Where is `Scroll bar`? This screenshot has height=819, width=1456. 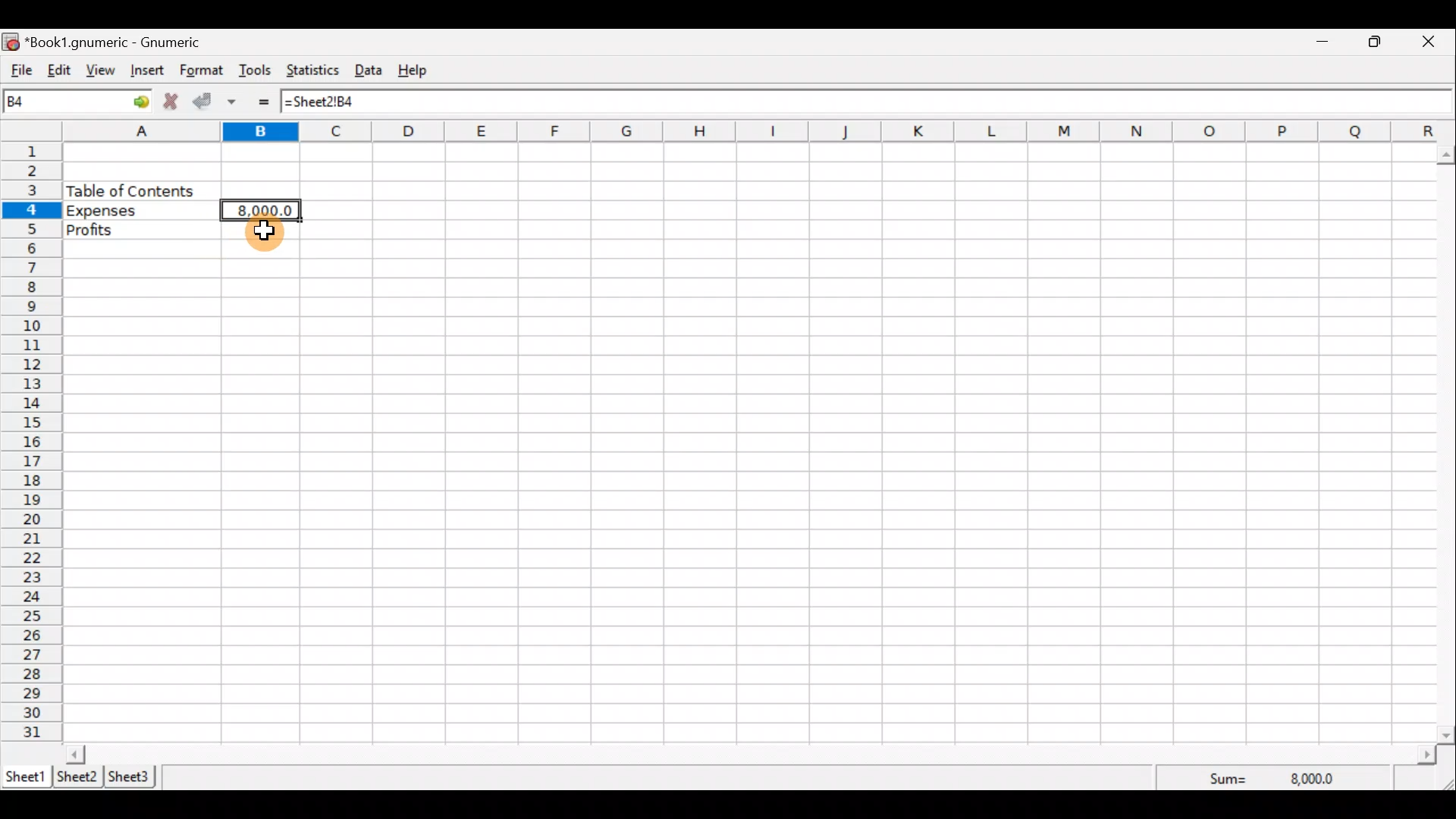 Scroll bar is located at coordinates (1447, 441).